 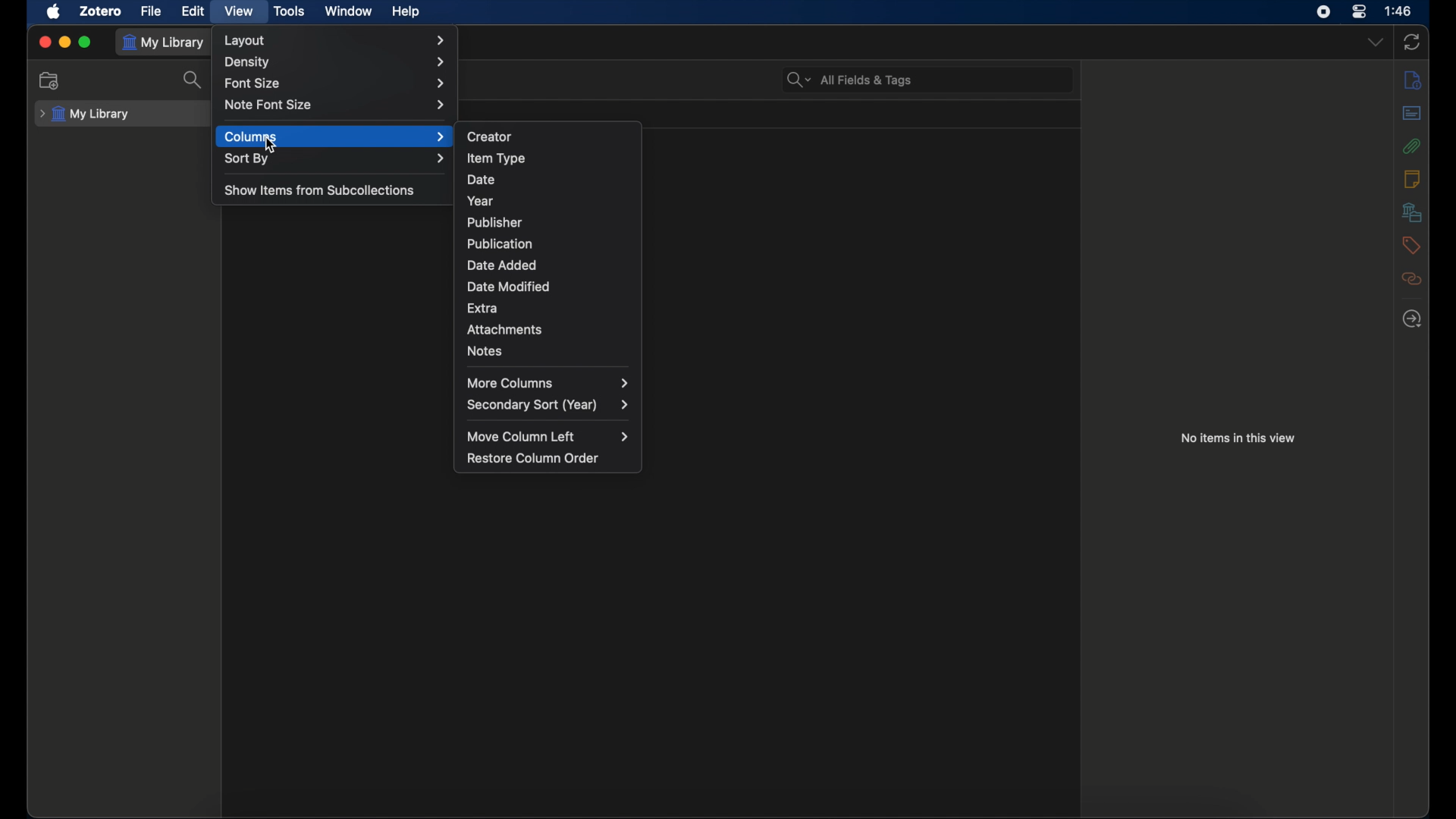 What do you see at coordinates (549, 405) in the screenshot?
I see `secondary sort` at bounding box center [549, 405].